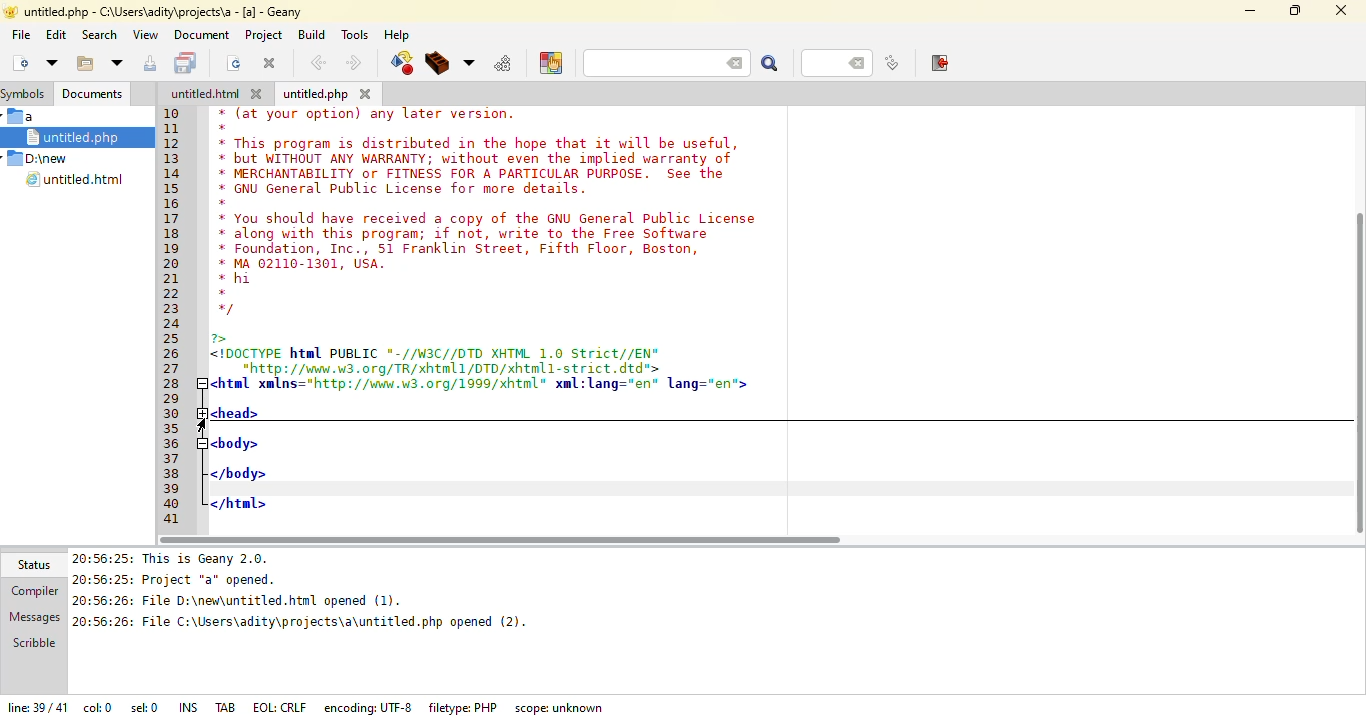  I want to click on close, so click(1340, 10).